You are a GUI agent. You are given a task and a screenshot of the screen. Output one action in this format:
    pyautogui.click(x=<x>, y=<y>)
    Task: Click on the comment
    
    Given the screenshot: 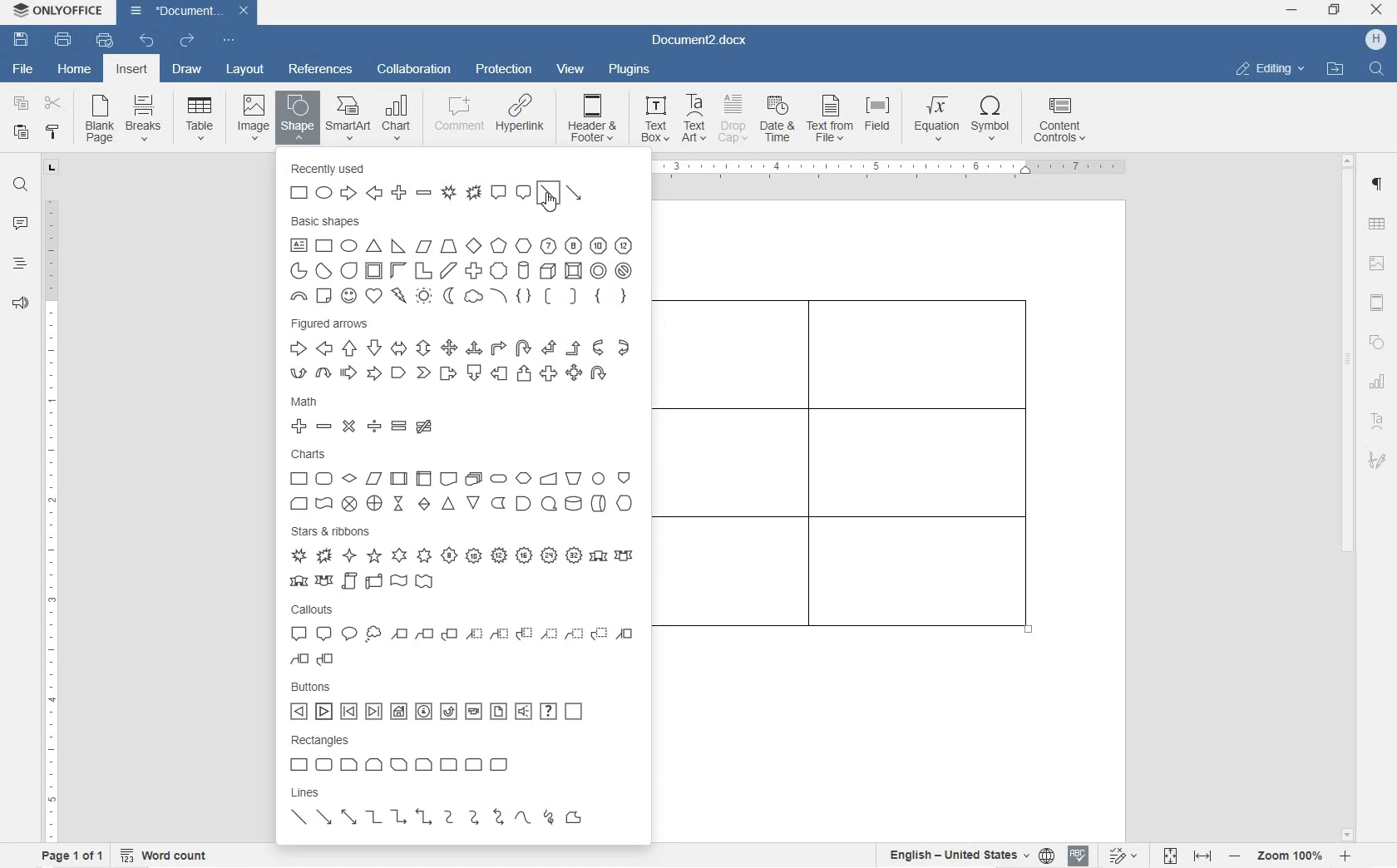 What is the action you would take?
    pyautogui.click(x=21, y=224)
    